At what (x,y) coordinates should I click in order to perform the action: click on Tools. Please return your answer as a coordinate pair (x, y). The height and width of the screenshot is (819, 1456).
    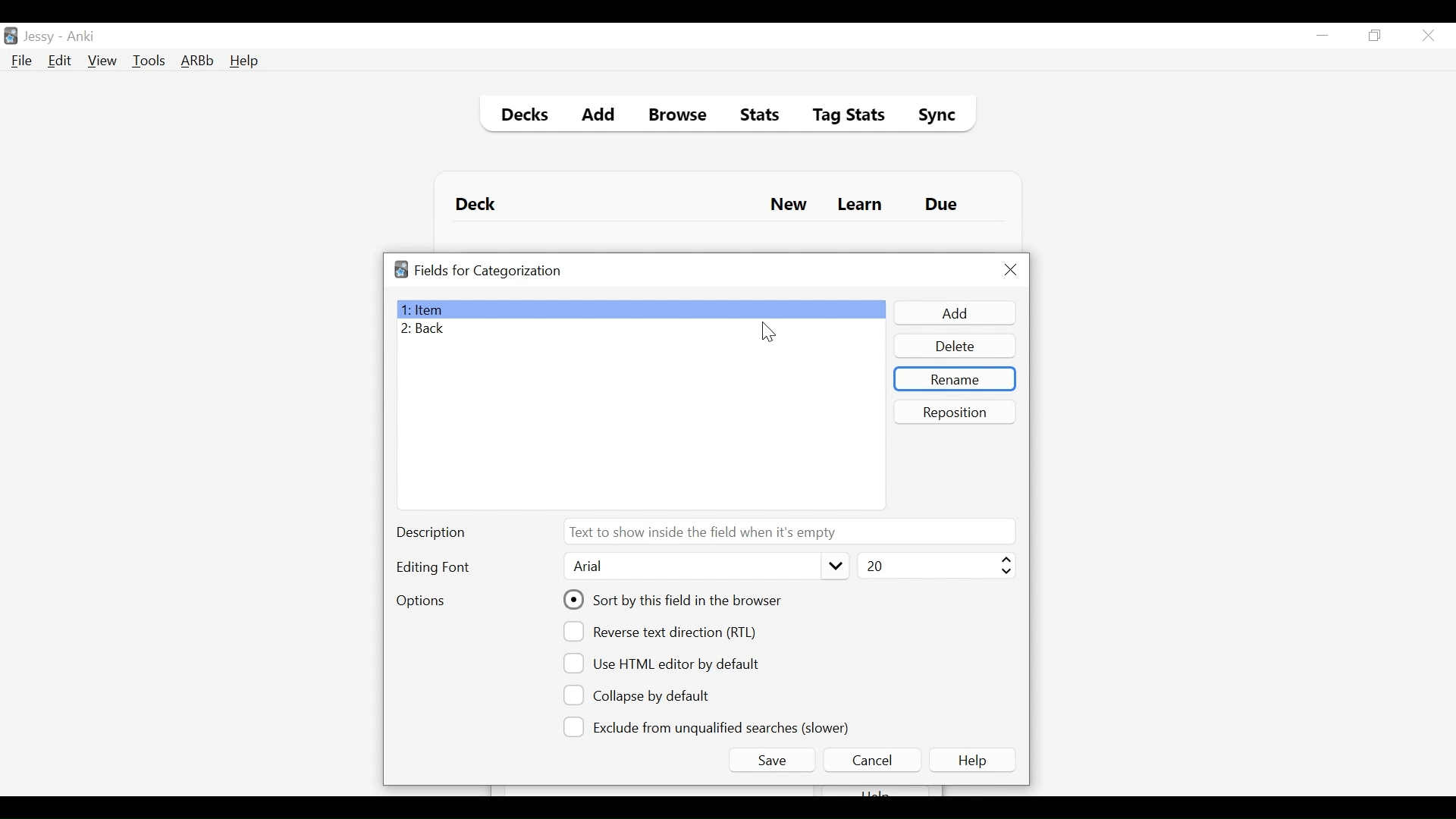
    Looking at the image, I should click on (149, 60).